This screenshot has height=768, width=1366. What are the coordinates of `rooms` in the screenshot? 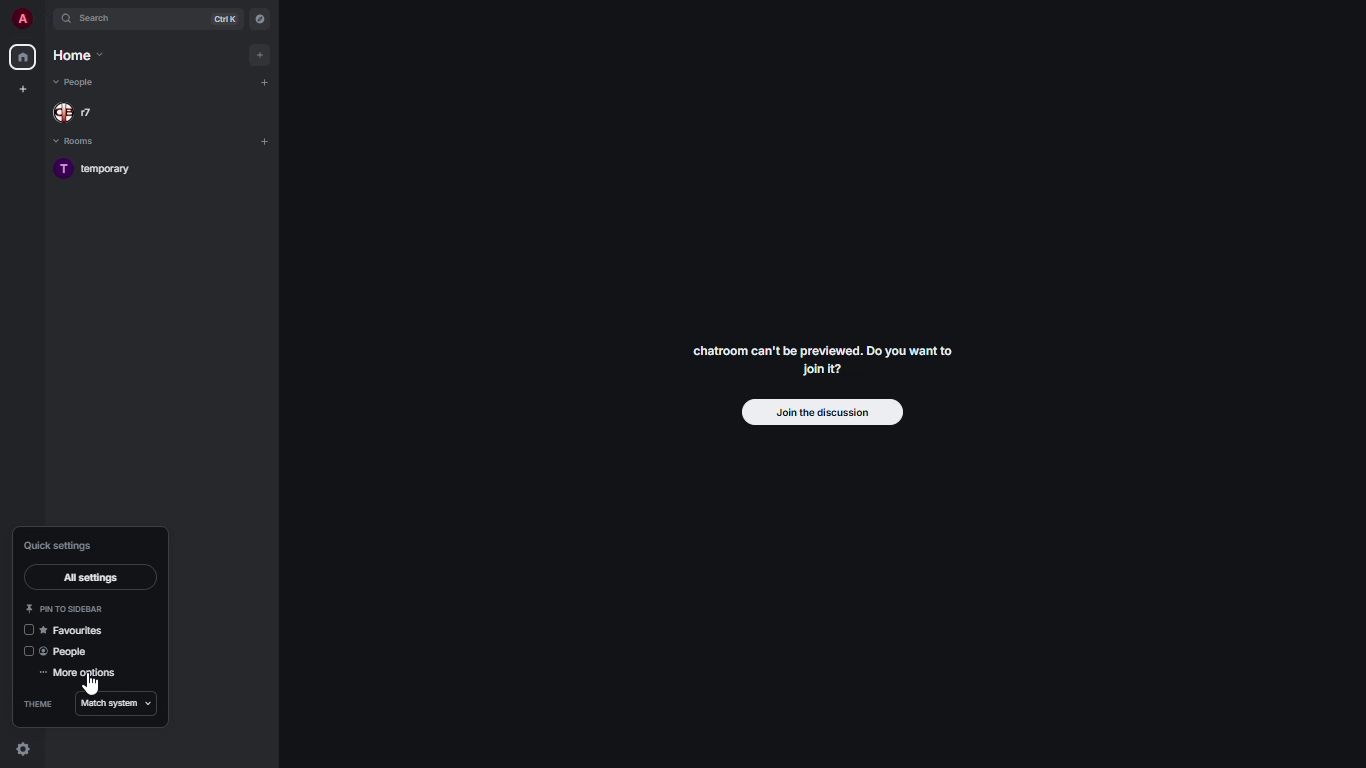 It's located at (81, 143).